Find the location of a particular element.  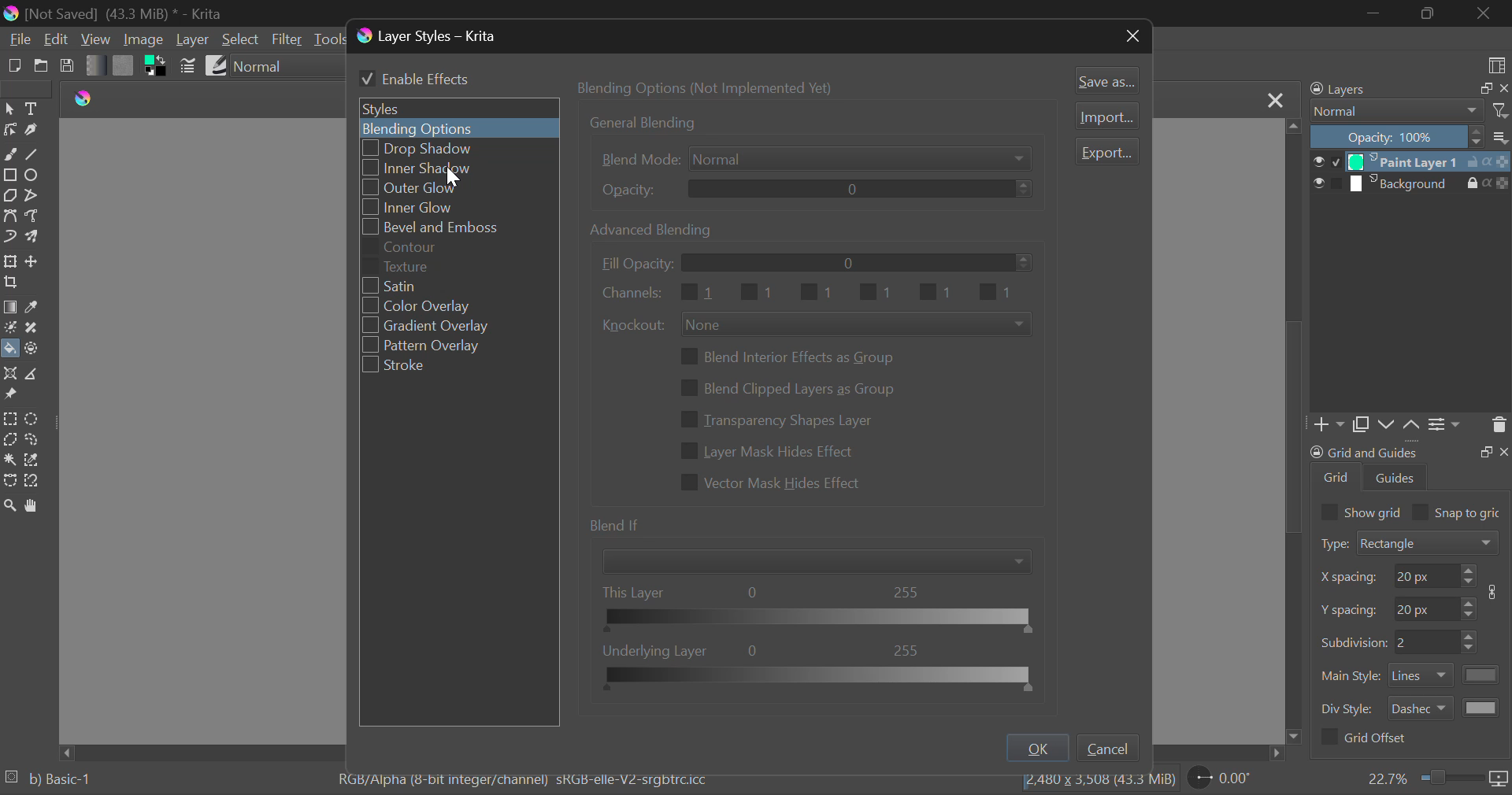

View is located at coordinates (96, 41).